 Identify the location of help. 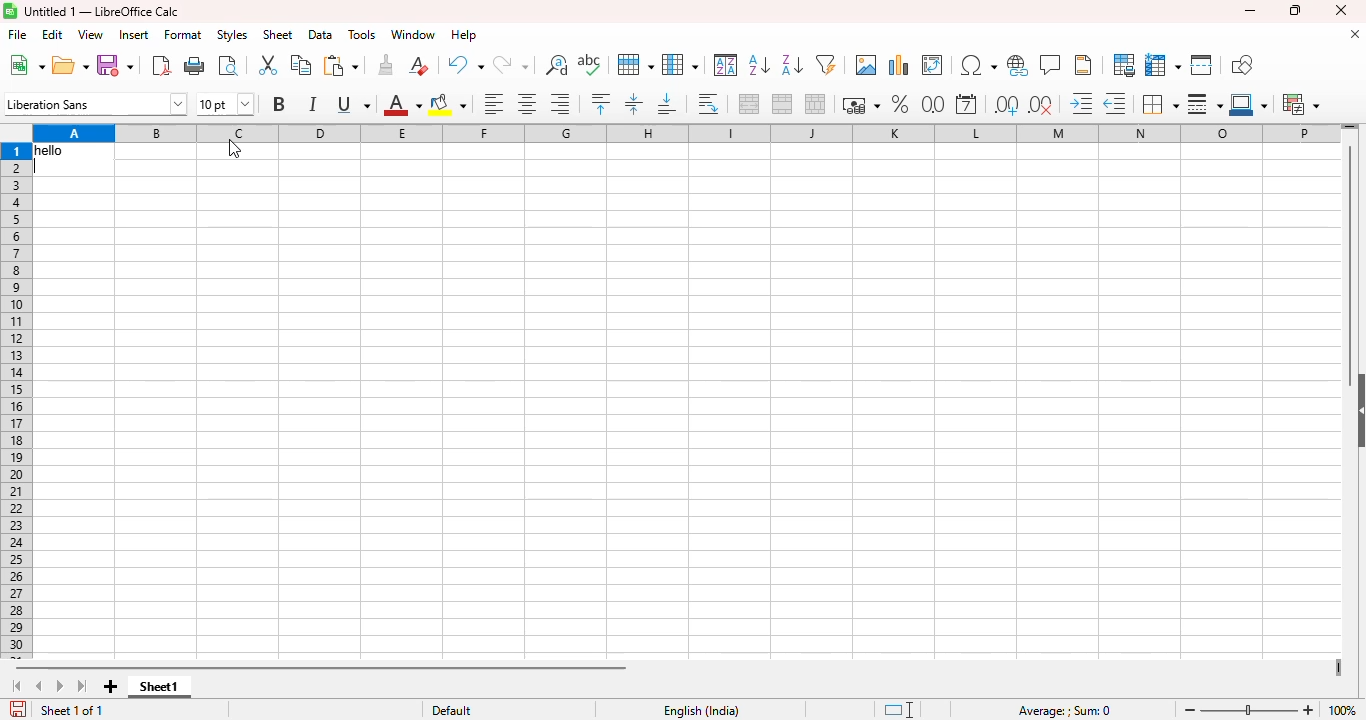
(464, 35).